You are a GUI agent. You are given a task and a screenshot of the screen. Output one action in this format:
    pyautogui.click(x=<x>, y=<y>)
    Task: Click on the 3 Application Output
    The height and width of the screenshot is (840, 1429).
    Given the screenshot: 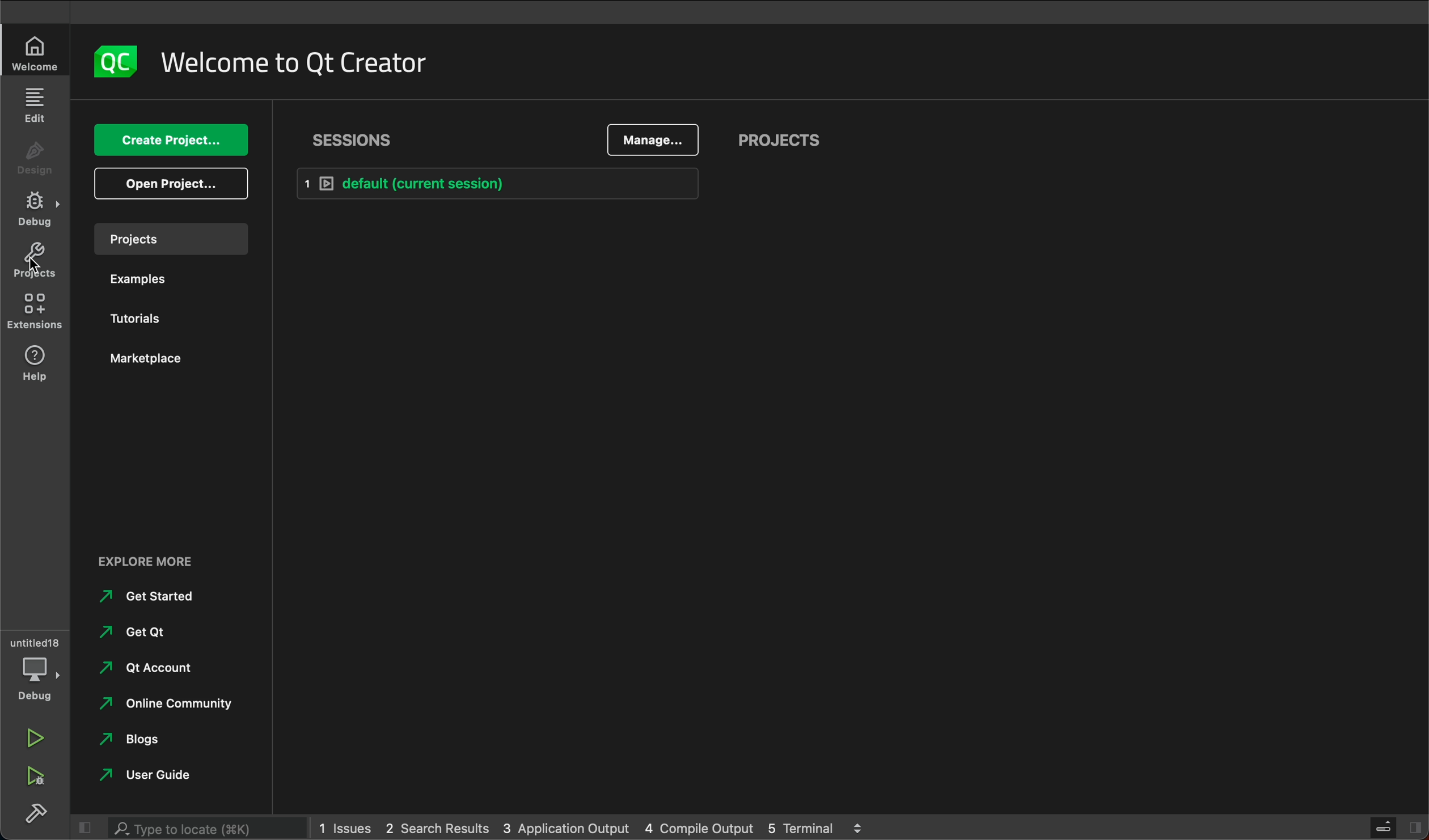 What is the action you would take?
    pyautogui.click(x=564, y=826)
    